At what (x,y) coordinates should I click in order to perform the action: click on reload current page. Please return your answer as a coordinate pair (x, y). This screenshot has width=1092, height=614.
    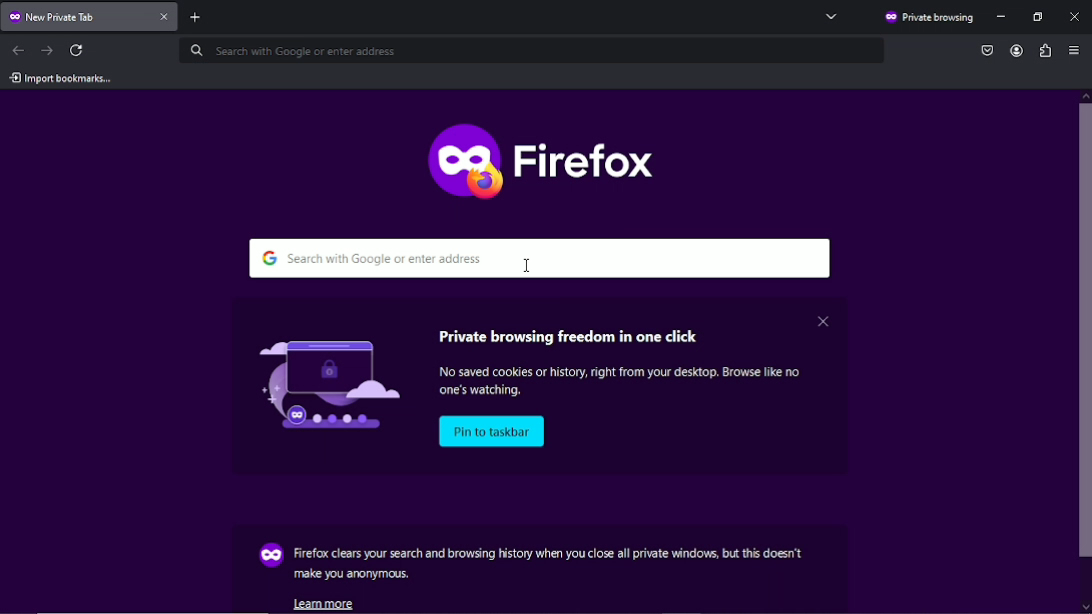
    Looking at the image, I should click on (79, 50).